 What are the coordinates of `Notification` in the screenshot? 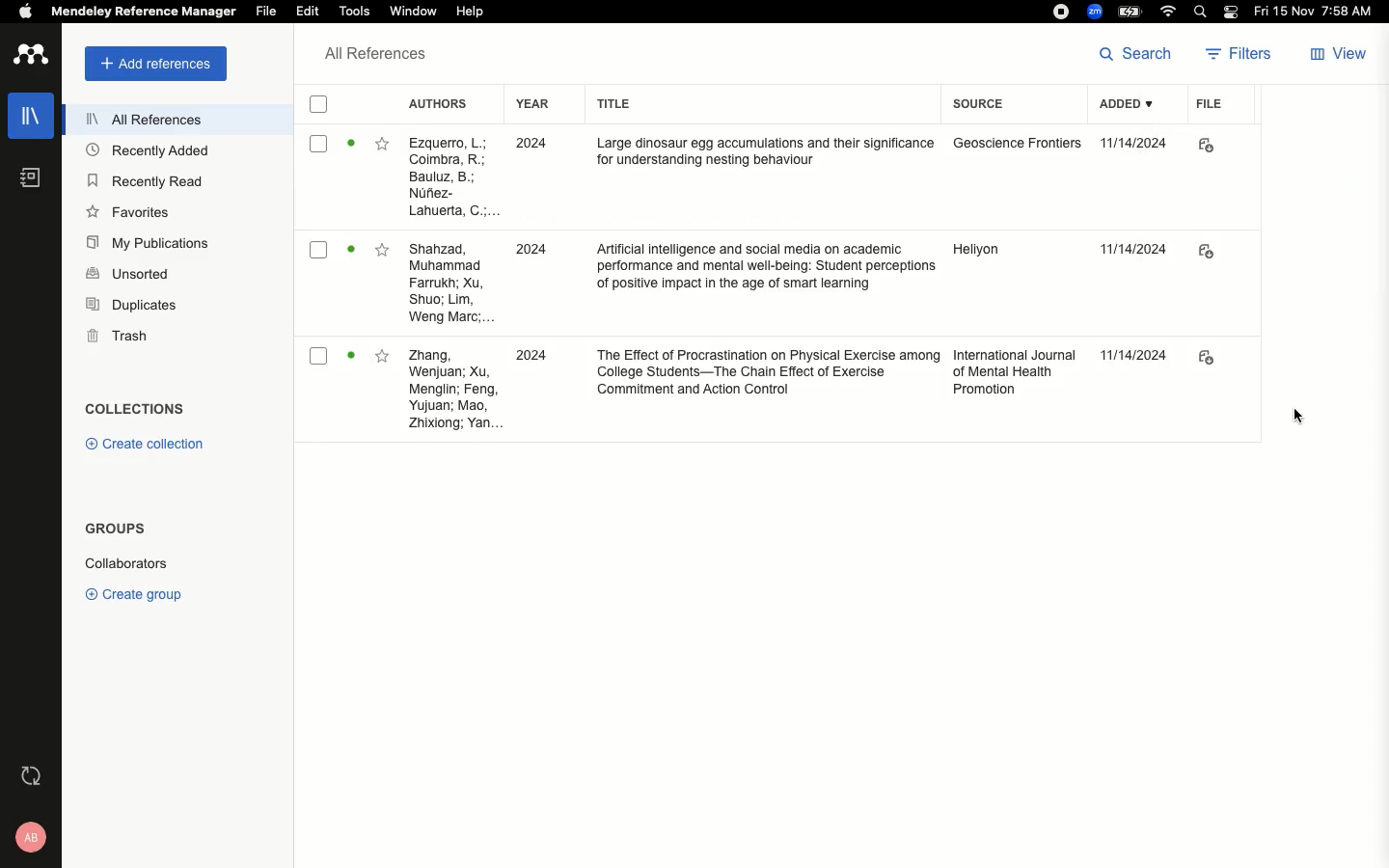 It's located at (1230, 14).